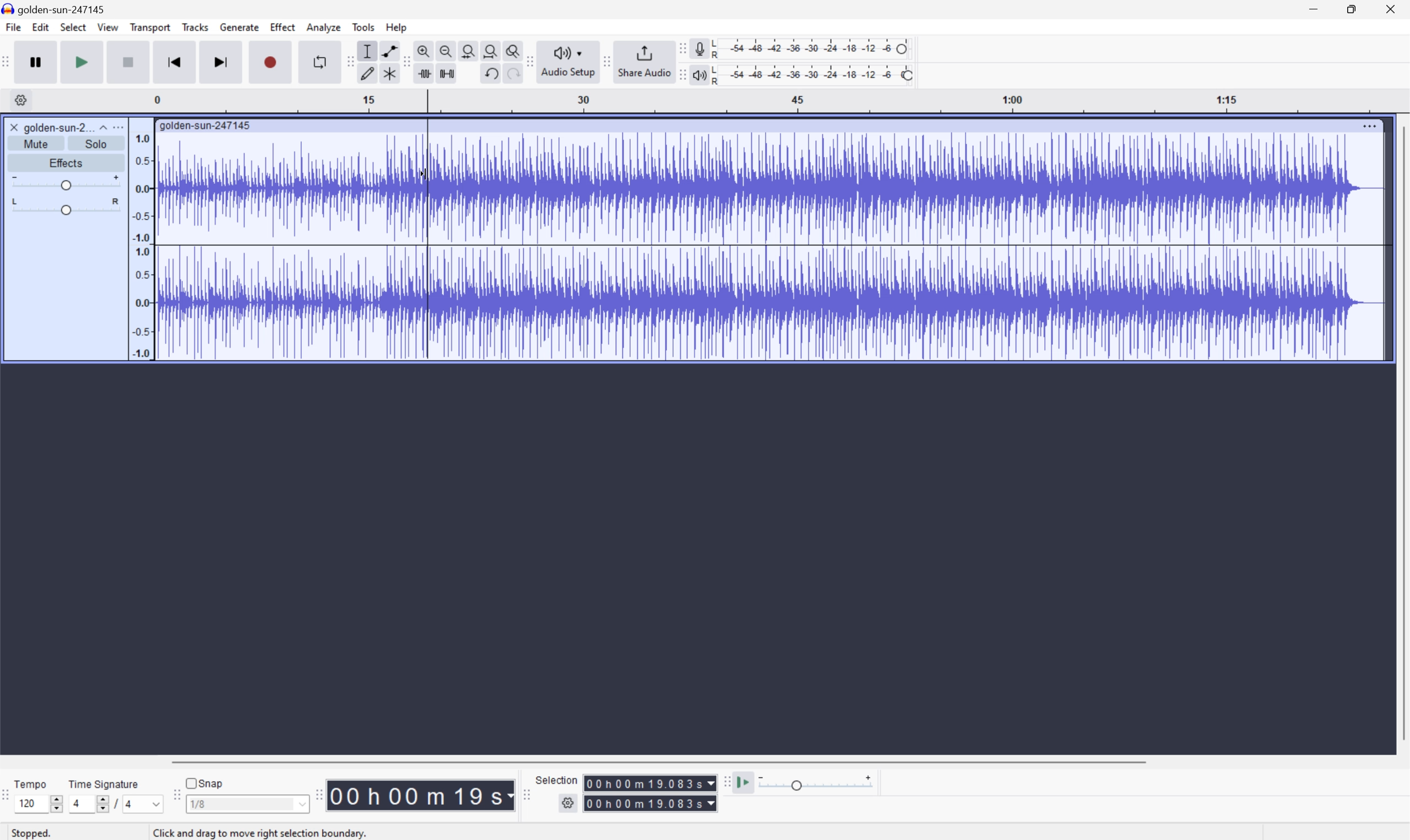  What do you see at coordinates (745, 783) in the screenshot?
I see `Play st speed` at bounding box center [745, 783].